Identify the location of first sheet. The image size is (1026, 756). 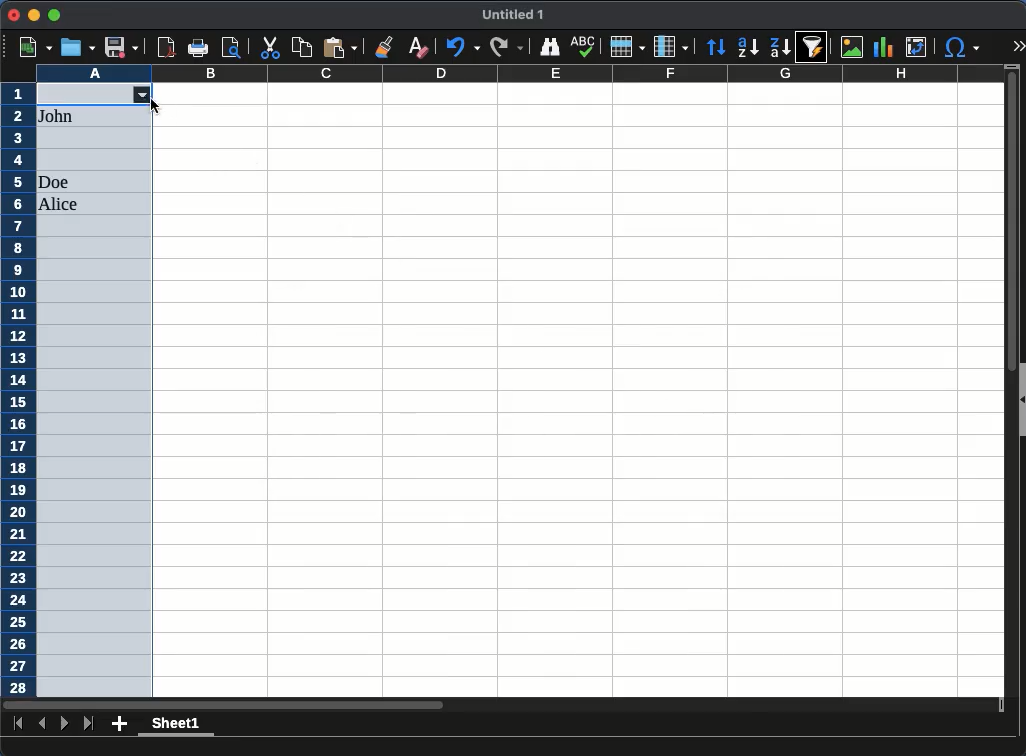
(17, 722).